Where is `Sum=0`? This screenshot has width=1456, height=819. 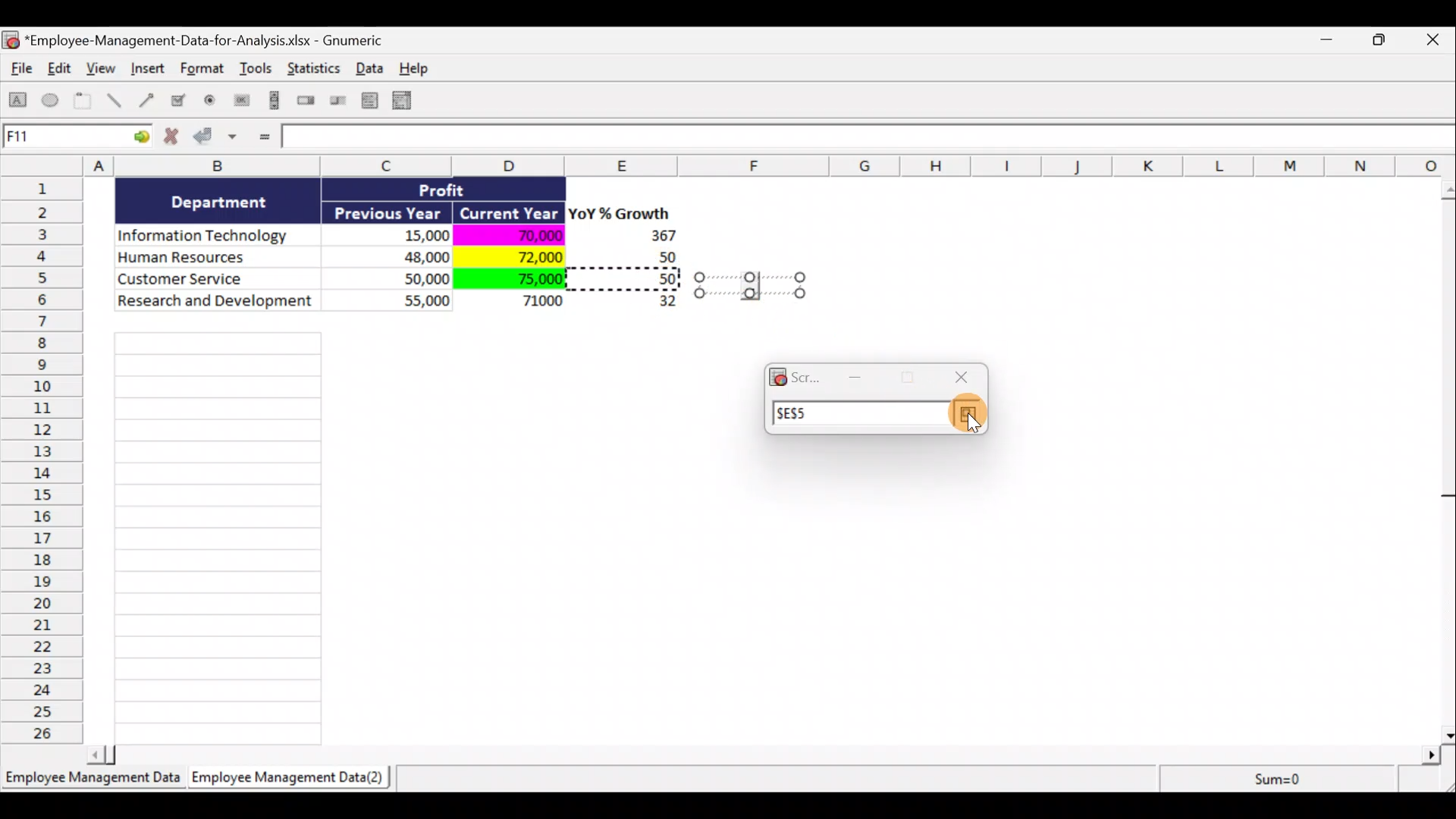 Sum=0 is located at coordinates (1275, 779).